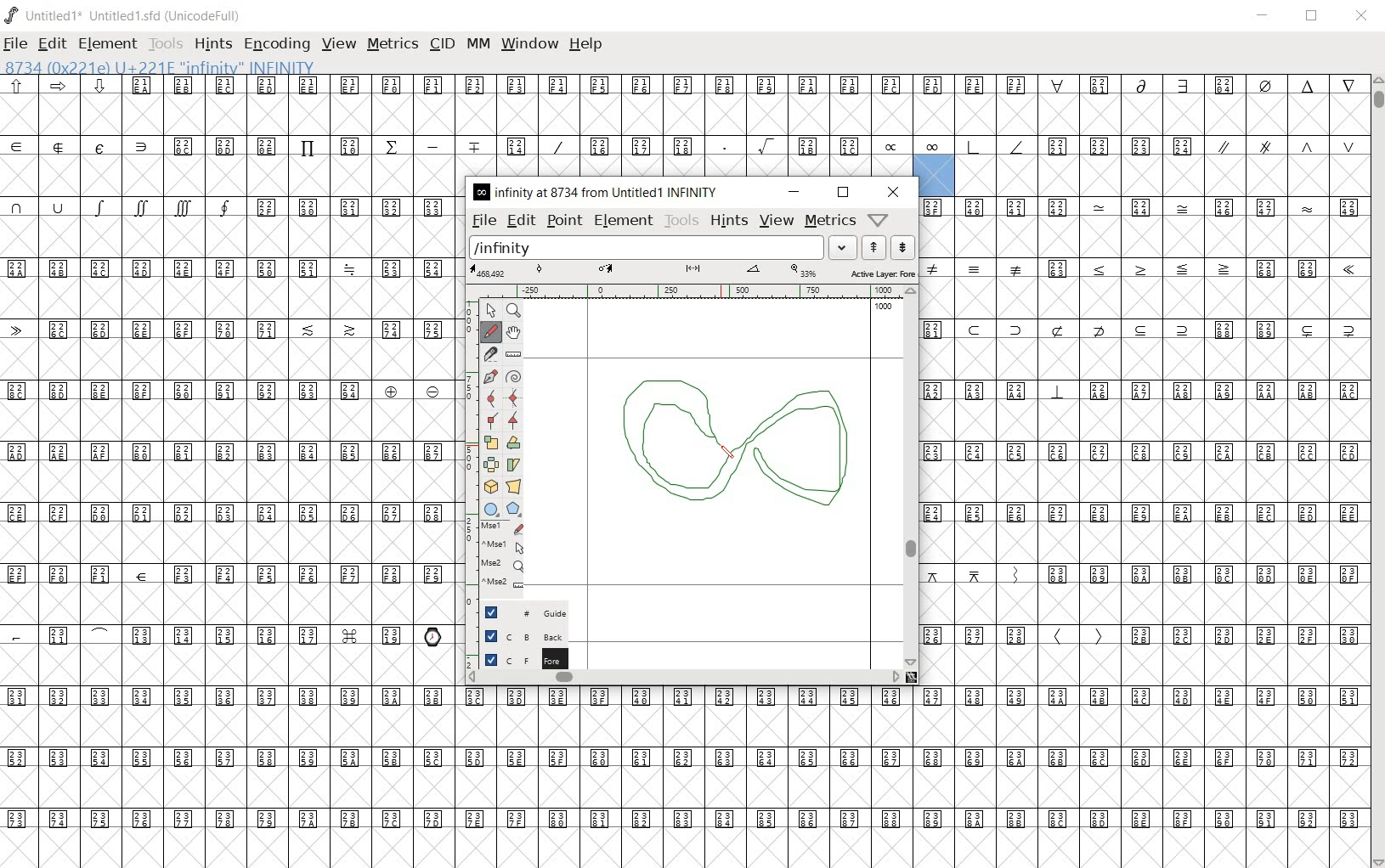 The height and width of the screenshot is (868, 1385). Describe the element at coordinates (516, 660) in the screenshot. I see `foreground` at that location.